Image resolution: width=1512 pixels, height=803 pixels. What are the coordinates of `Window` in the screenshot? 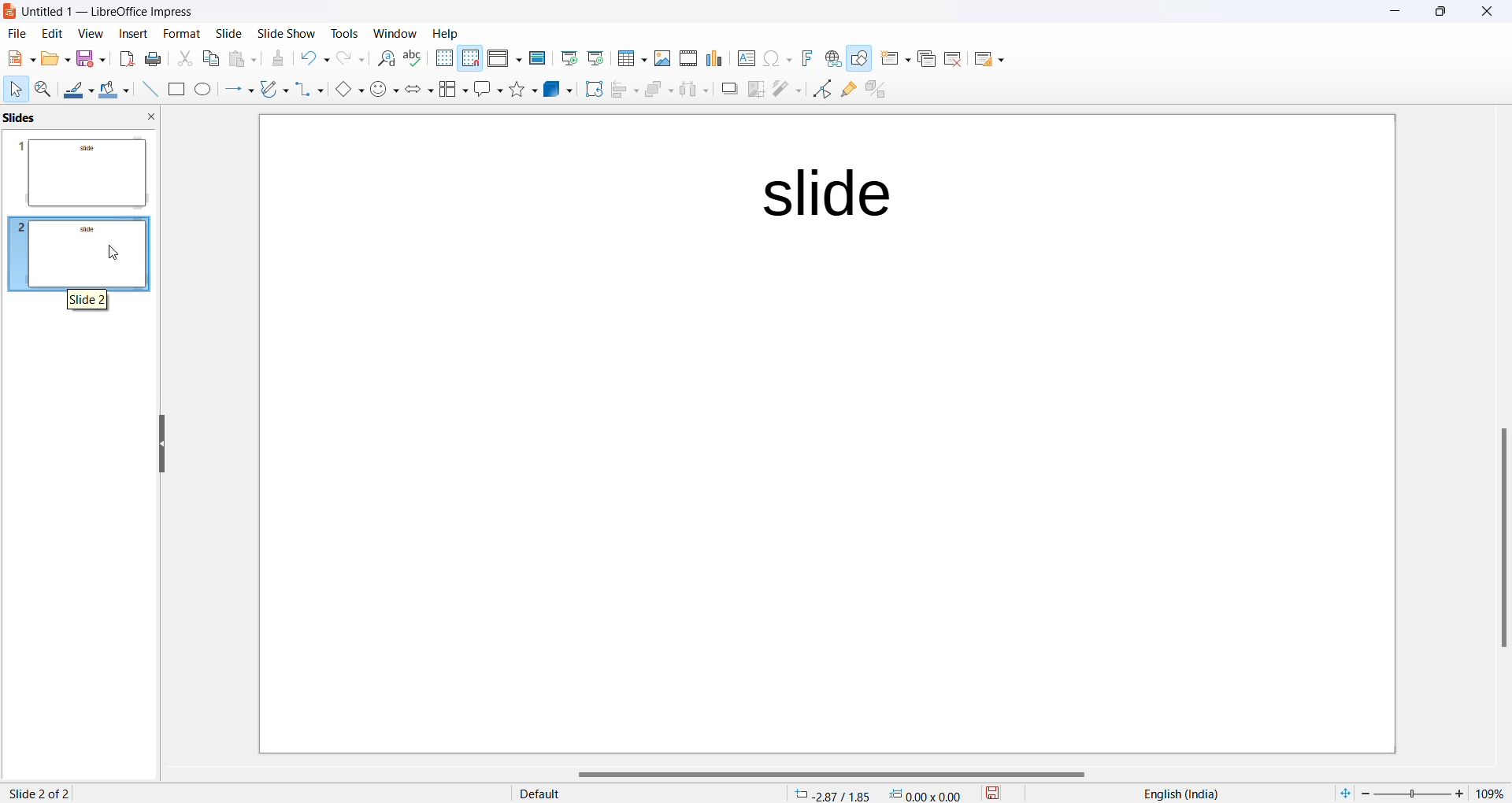 It's located at (391, 31).